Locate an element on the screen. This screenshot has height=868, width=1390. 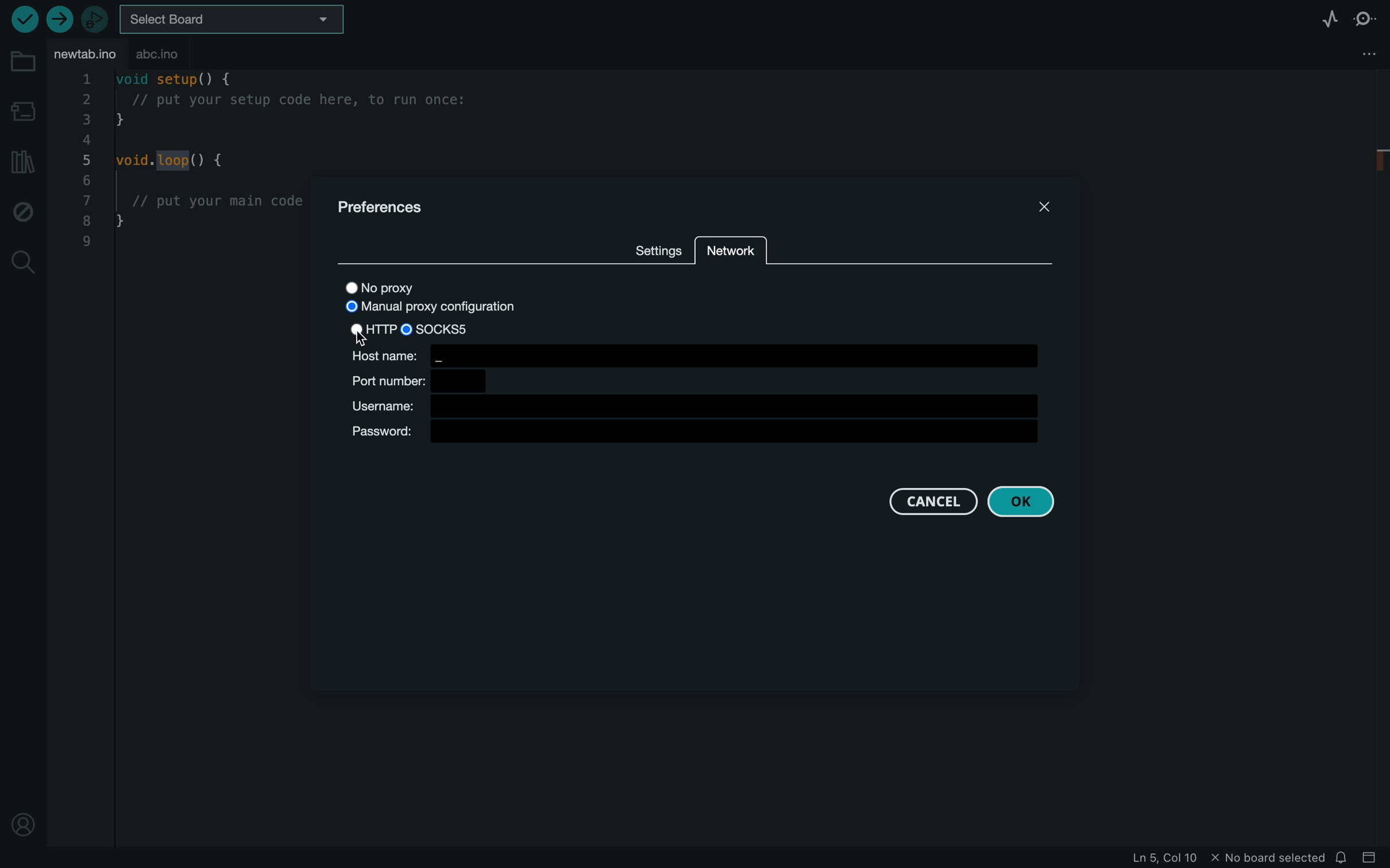
password is located at coordinates (699, 434).